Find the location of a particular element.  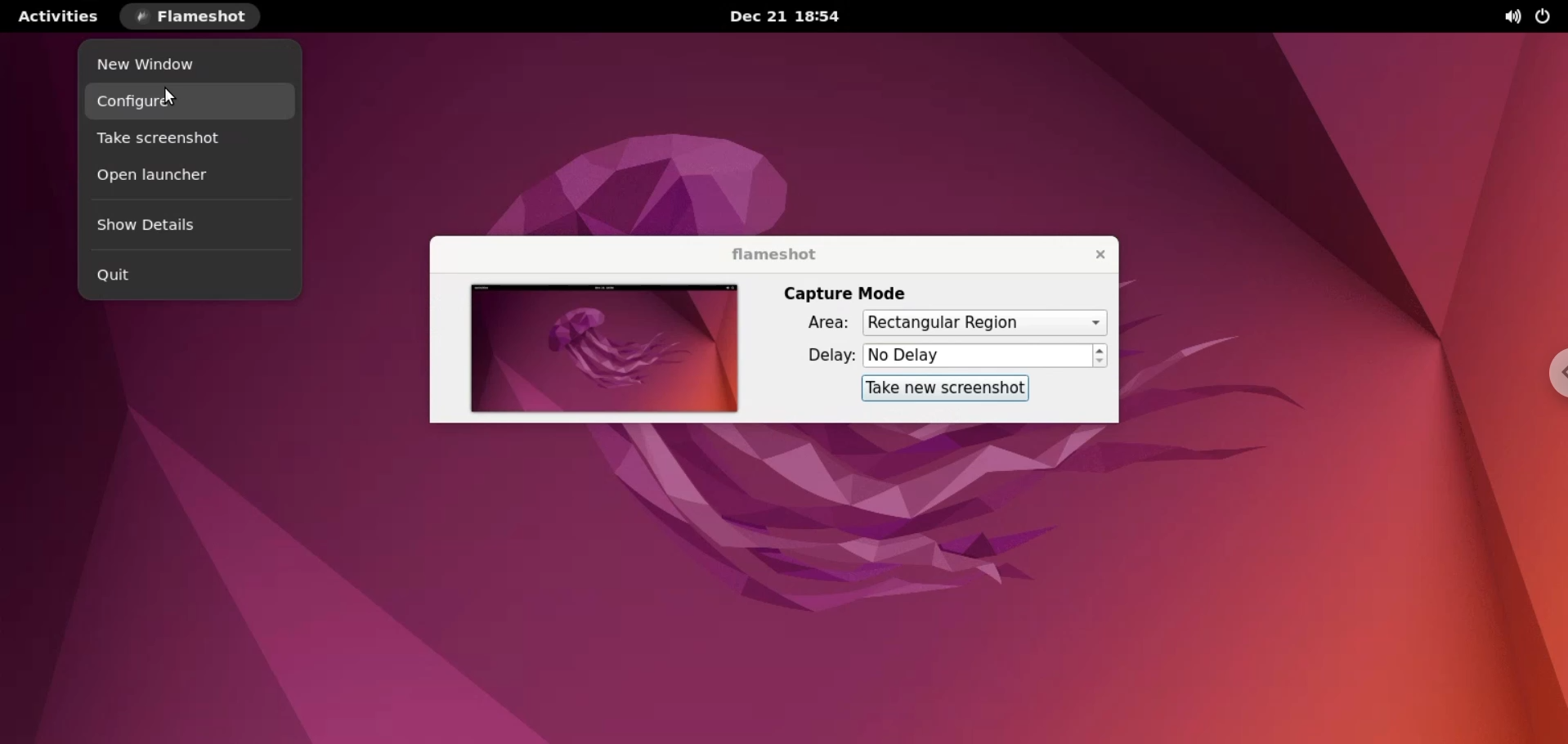

increment or decrement delay  is located at coordinates (1102, 356).